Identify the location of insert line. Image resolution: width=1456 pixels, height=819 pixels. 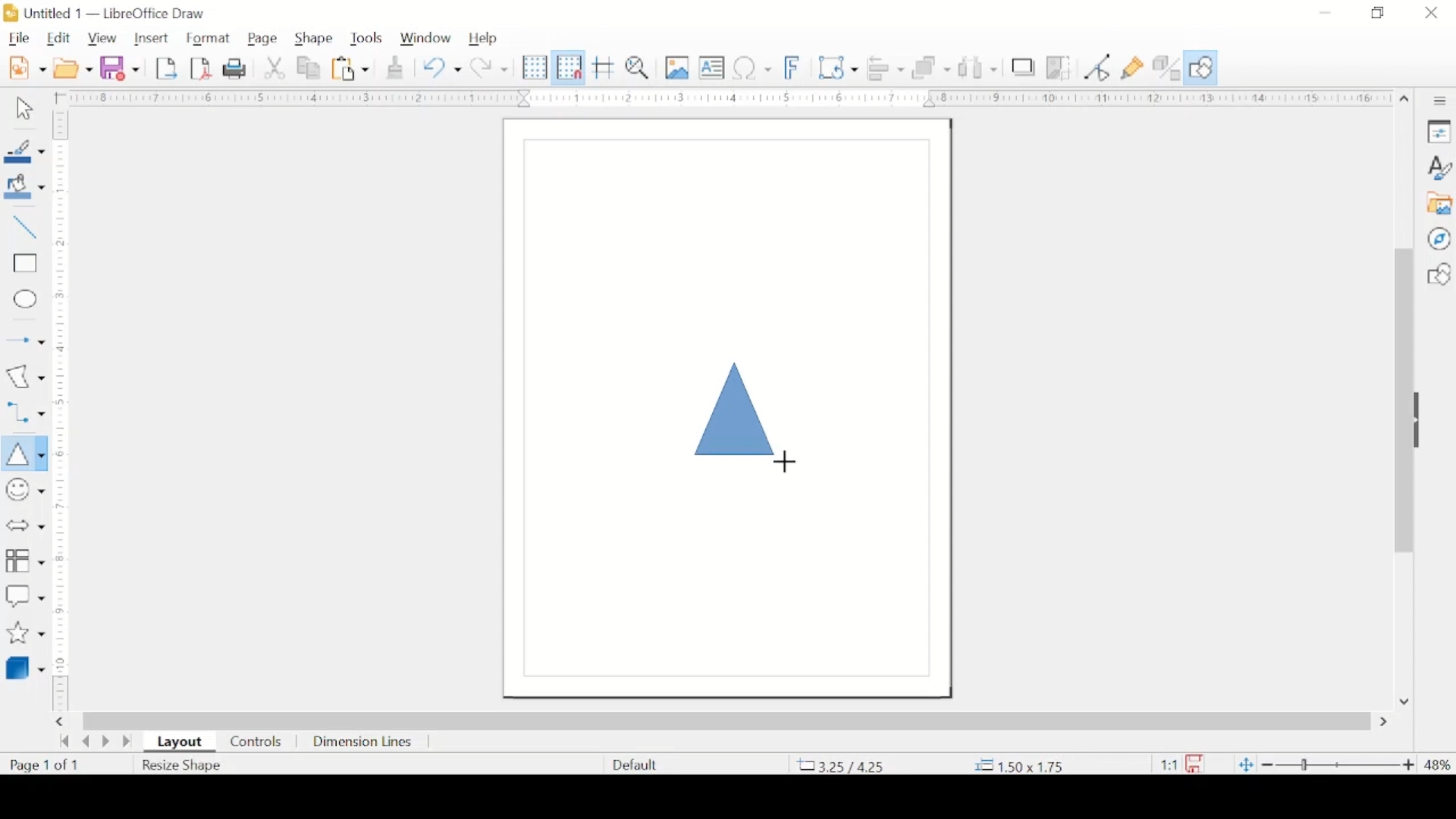
(24, 228).